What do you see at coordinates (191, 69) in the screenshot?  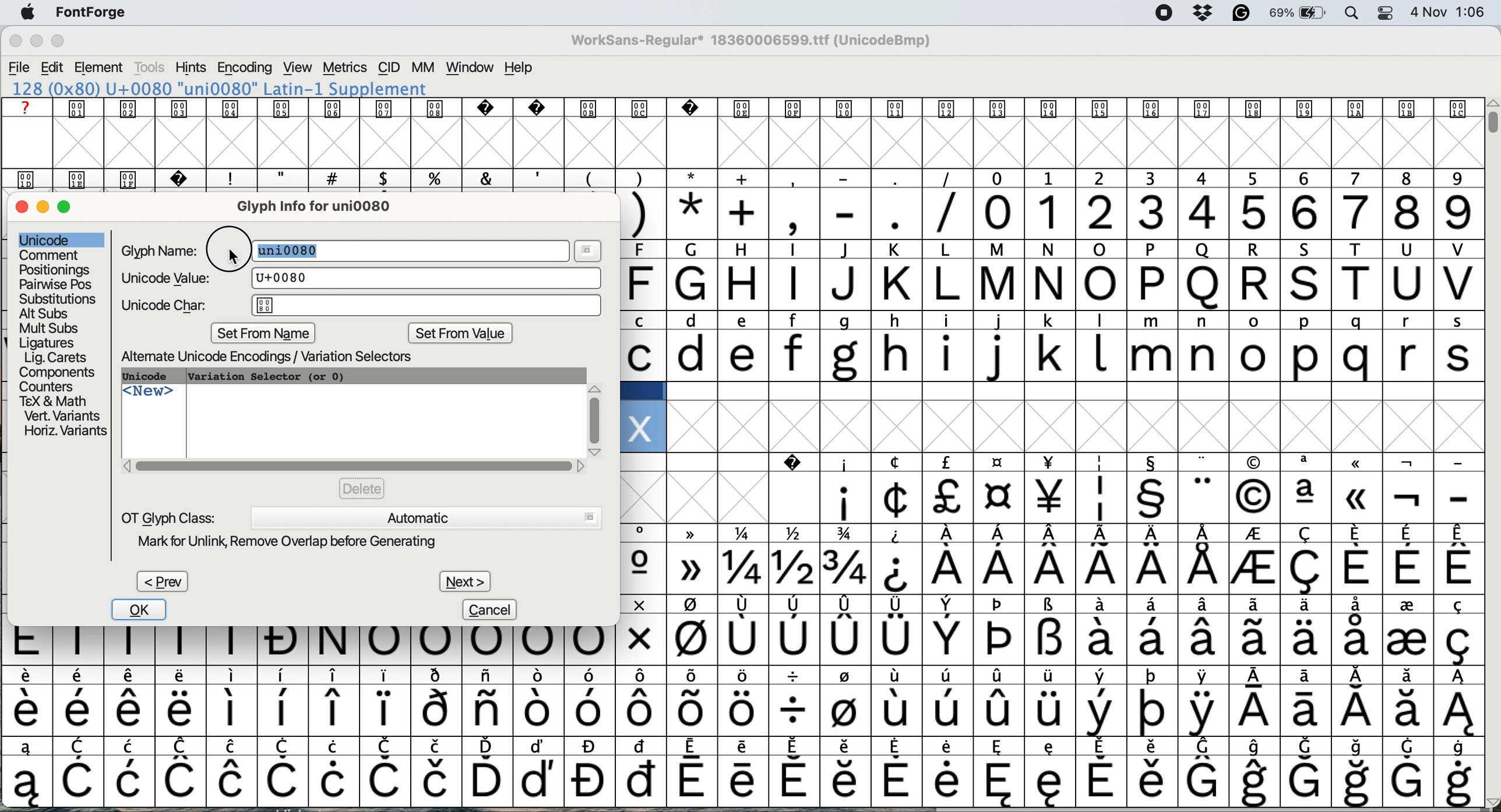 I see `hints` at bounding box center [191, 69].